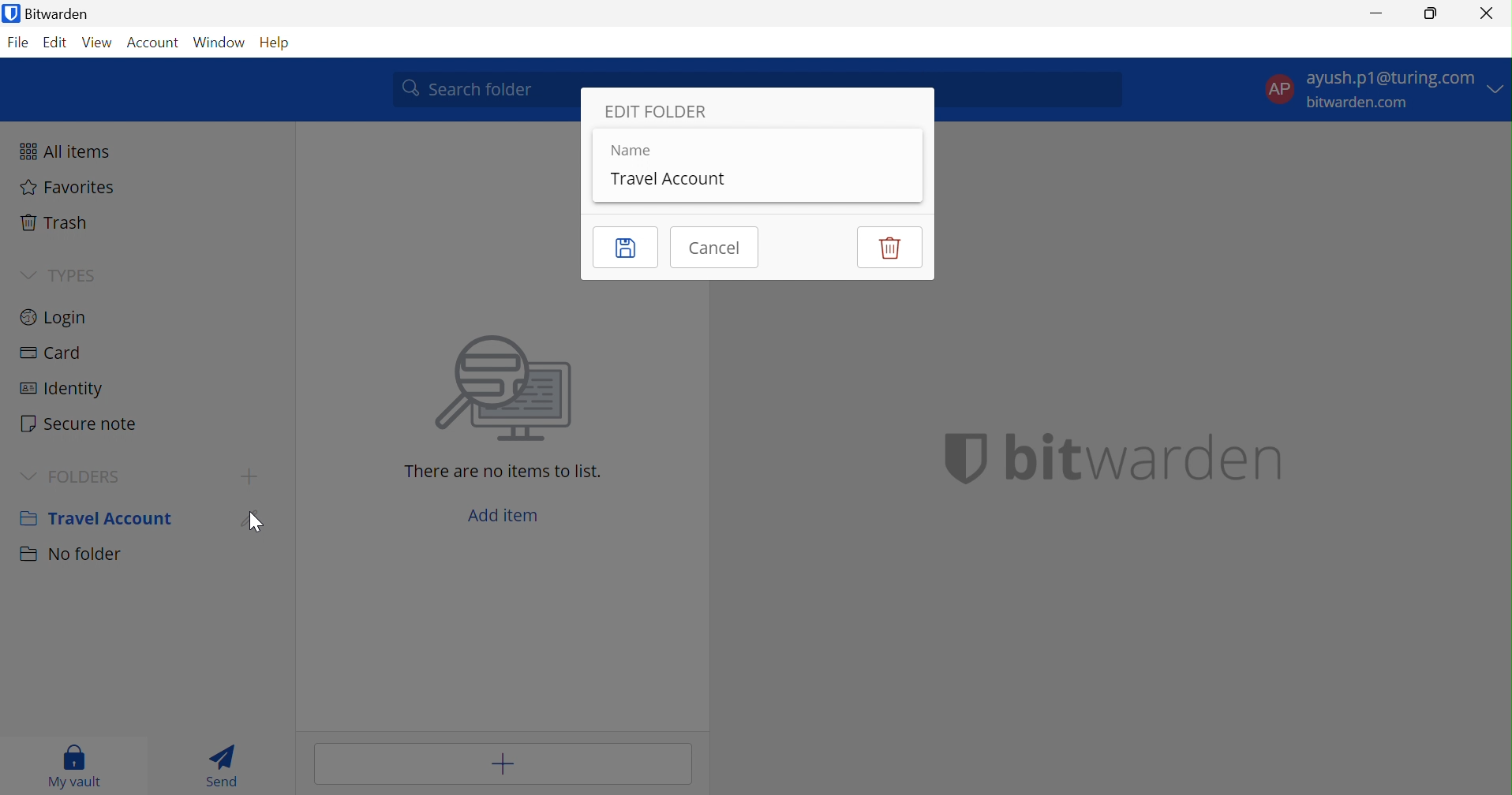 The image size is (1512, 795). What do you see at coordinates (718, 247) in the screenshot?
I see `Cancel` at bounding box center [718, 247].